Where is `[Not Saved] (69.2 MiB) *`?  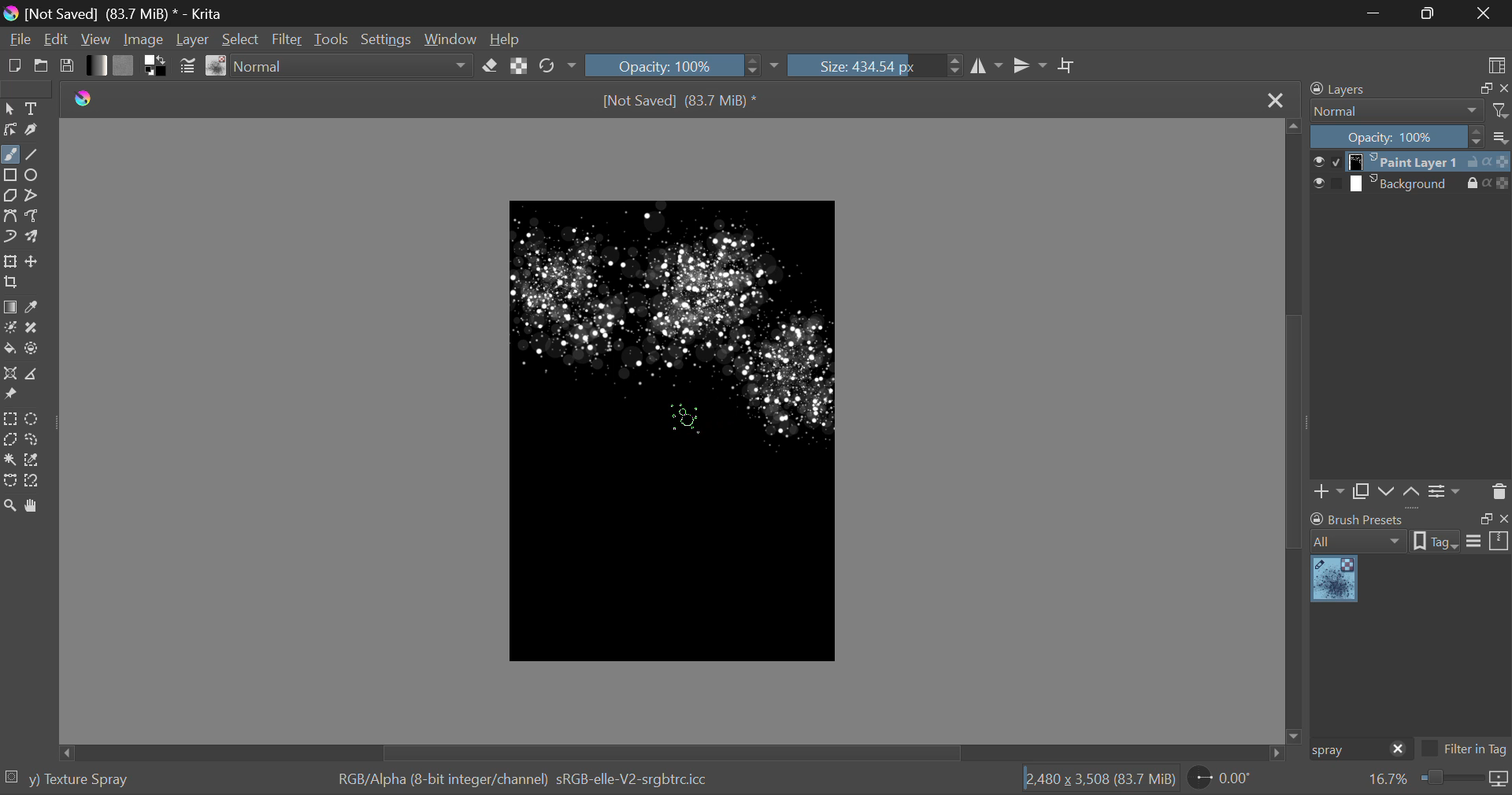 [Not Saved] (69.2 MiB) * is located at coordinates (680, 102).